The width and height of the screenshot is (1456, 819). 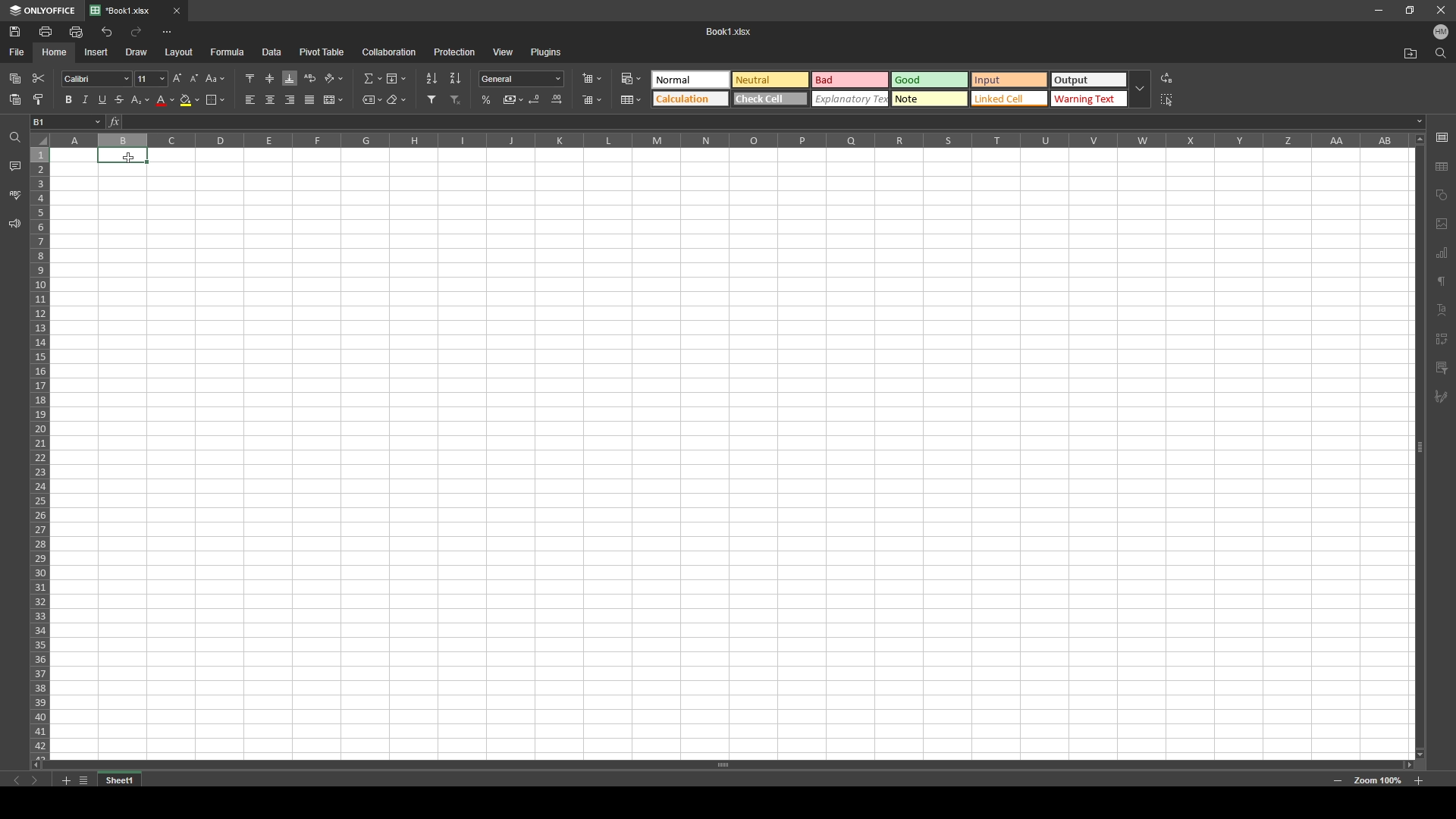 I want to click on select all, so click(x=1168, y=100).